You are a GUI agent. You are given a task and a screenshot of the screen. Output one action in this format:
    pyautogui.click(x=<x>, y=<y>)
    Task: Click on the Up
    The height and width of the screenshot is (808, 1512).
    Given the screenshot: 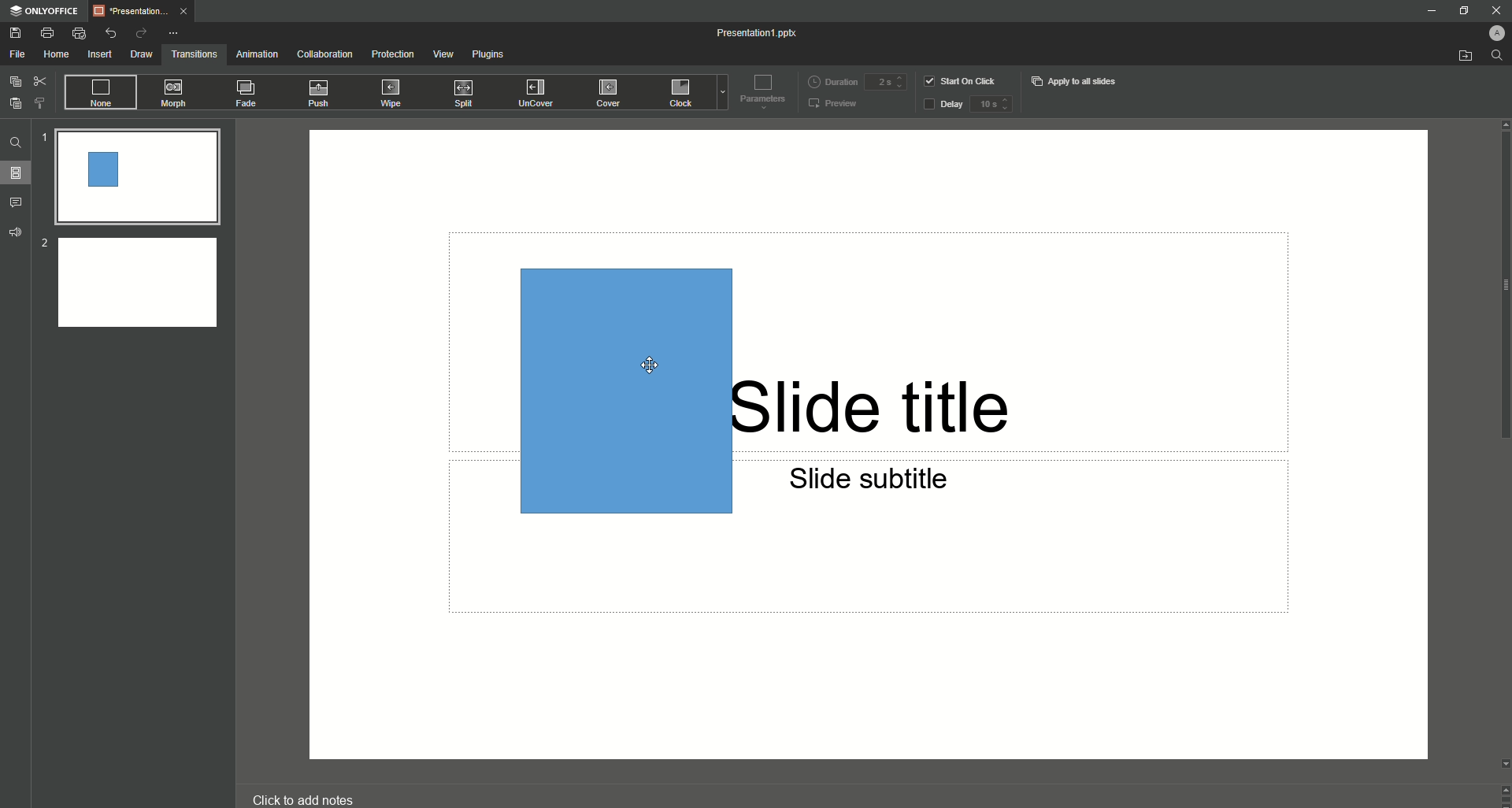 What is the action you would take?
    pyautogui.click(x=1503, y=124)
    